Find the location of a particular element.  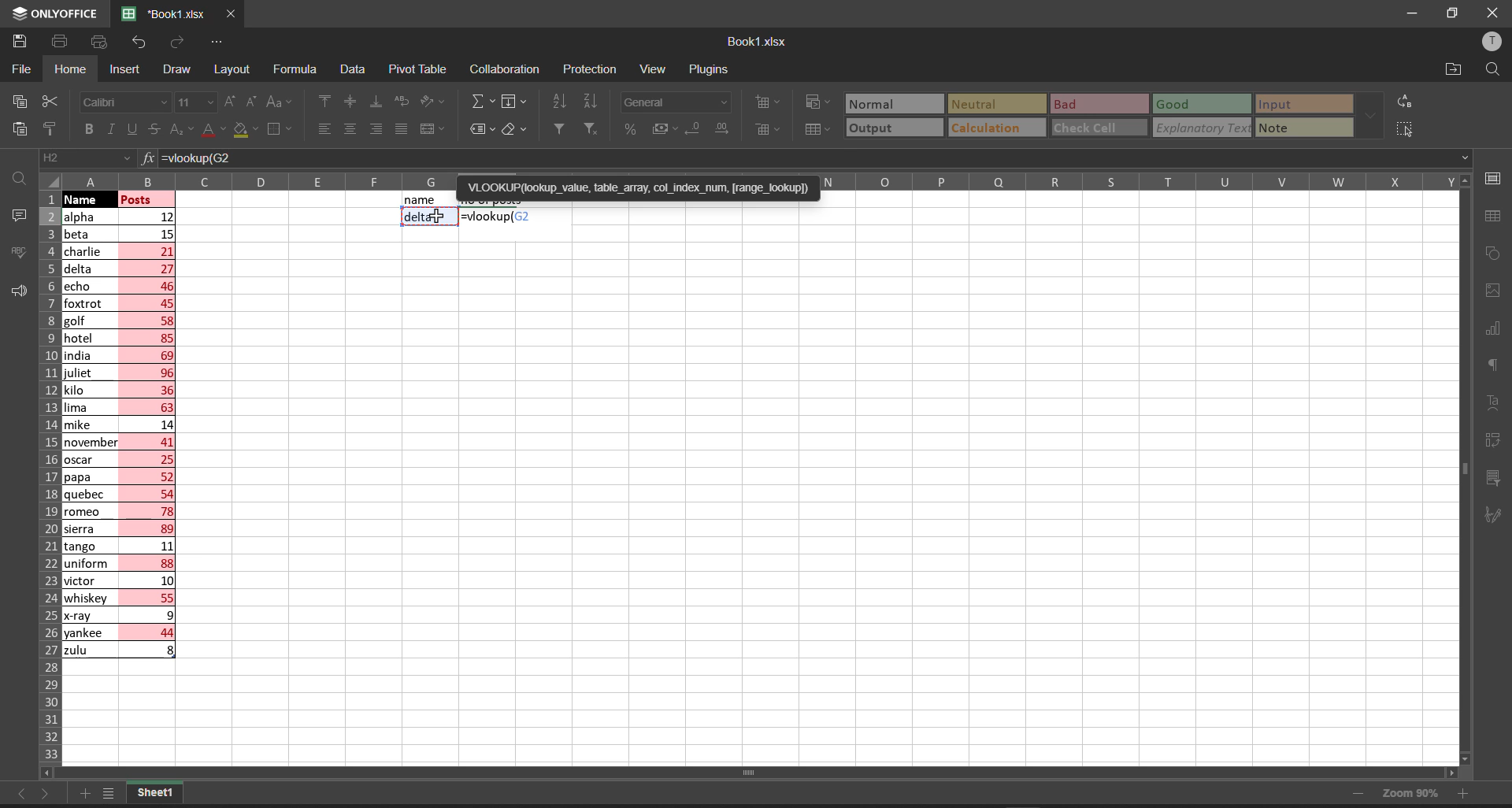

view is located at coordinates (653, 70).